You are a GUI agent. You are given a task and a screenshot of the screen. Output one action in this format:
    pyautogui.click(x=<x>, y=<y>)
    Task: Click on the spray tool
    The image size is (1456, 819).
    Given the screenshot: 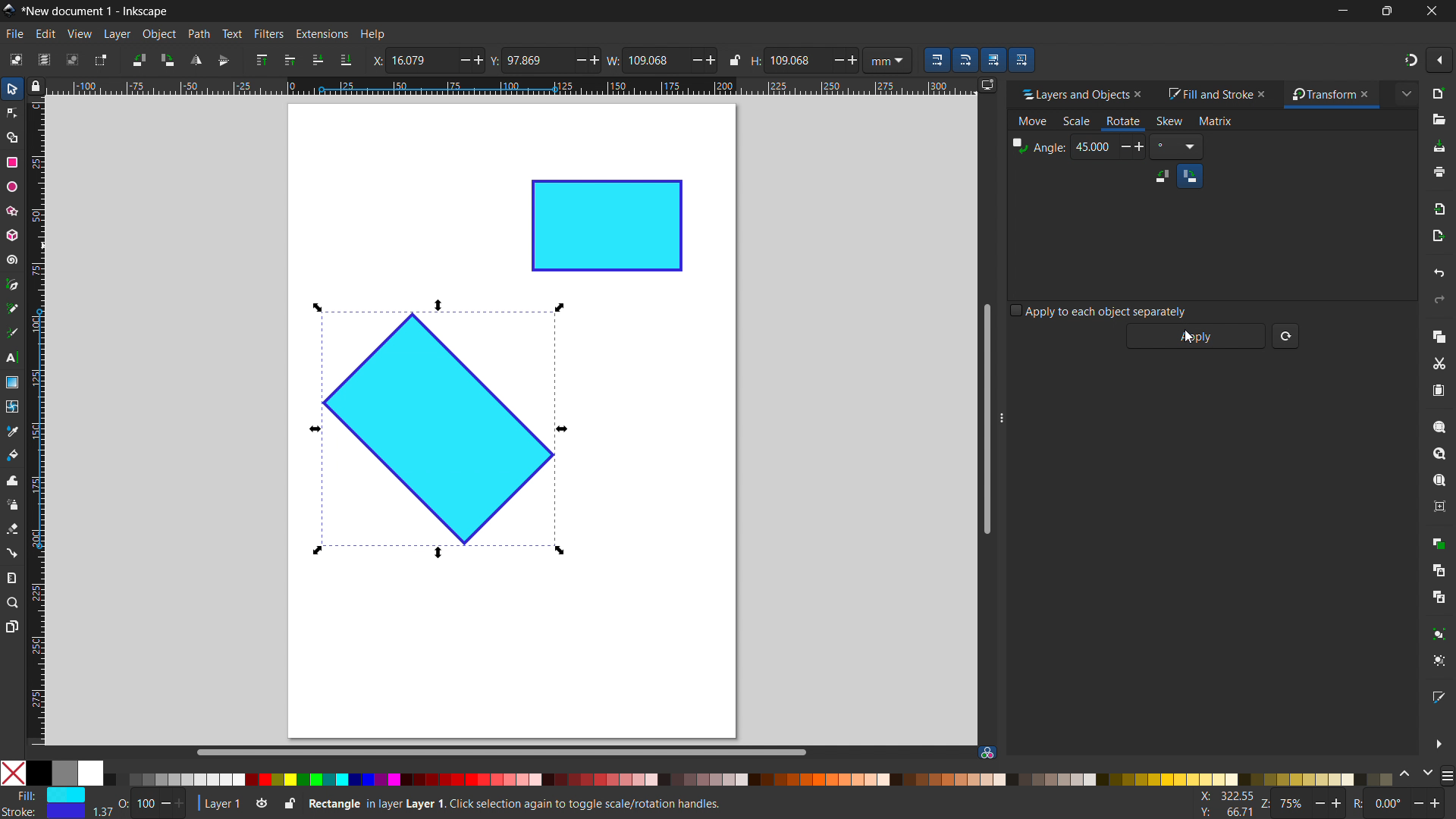 What is the action you would take?
    pyautogui.click(x=13, y=504)
    